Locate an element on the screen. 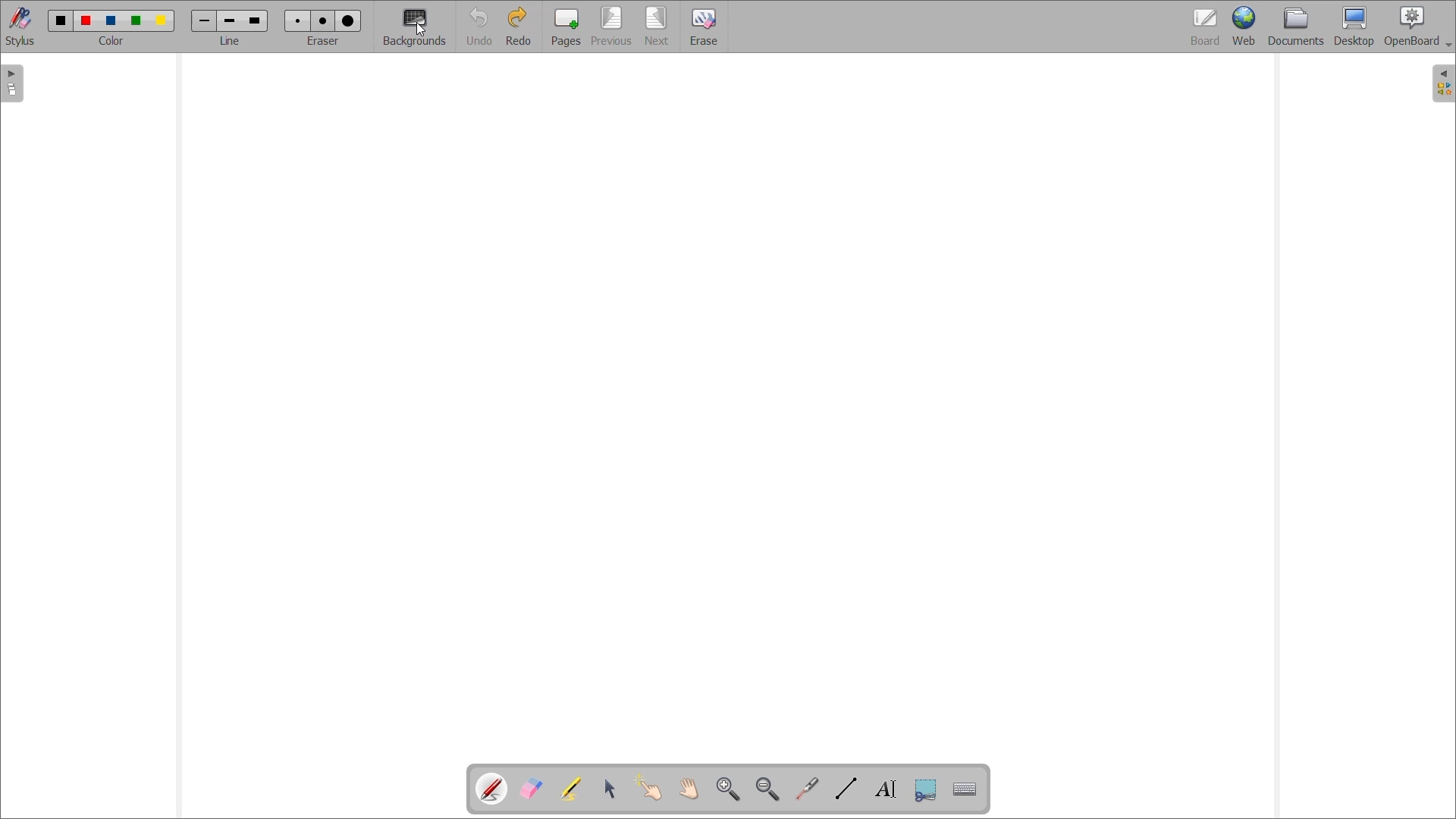 The height and width of the screenshot is (819, 1456). Redo is located at coordinates (519, 26).